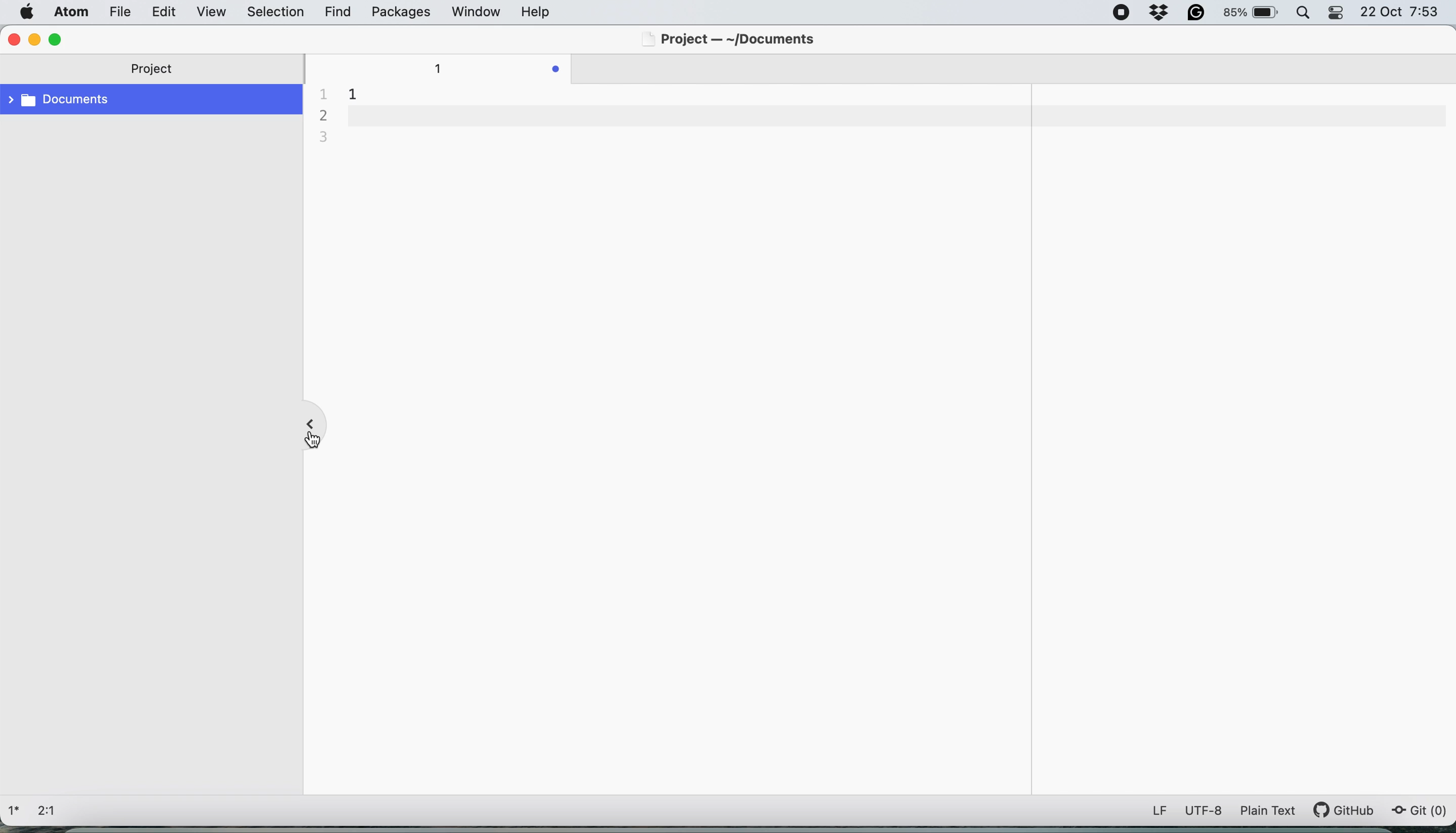 Image resolution: width=1456 pixels, height=833 pixels. Describe the element at coordinates (551, 11) in the screenshot. I see `help` at that location.